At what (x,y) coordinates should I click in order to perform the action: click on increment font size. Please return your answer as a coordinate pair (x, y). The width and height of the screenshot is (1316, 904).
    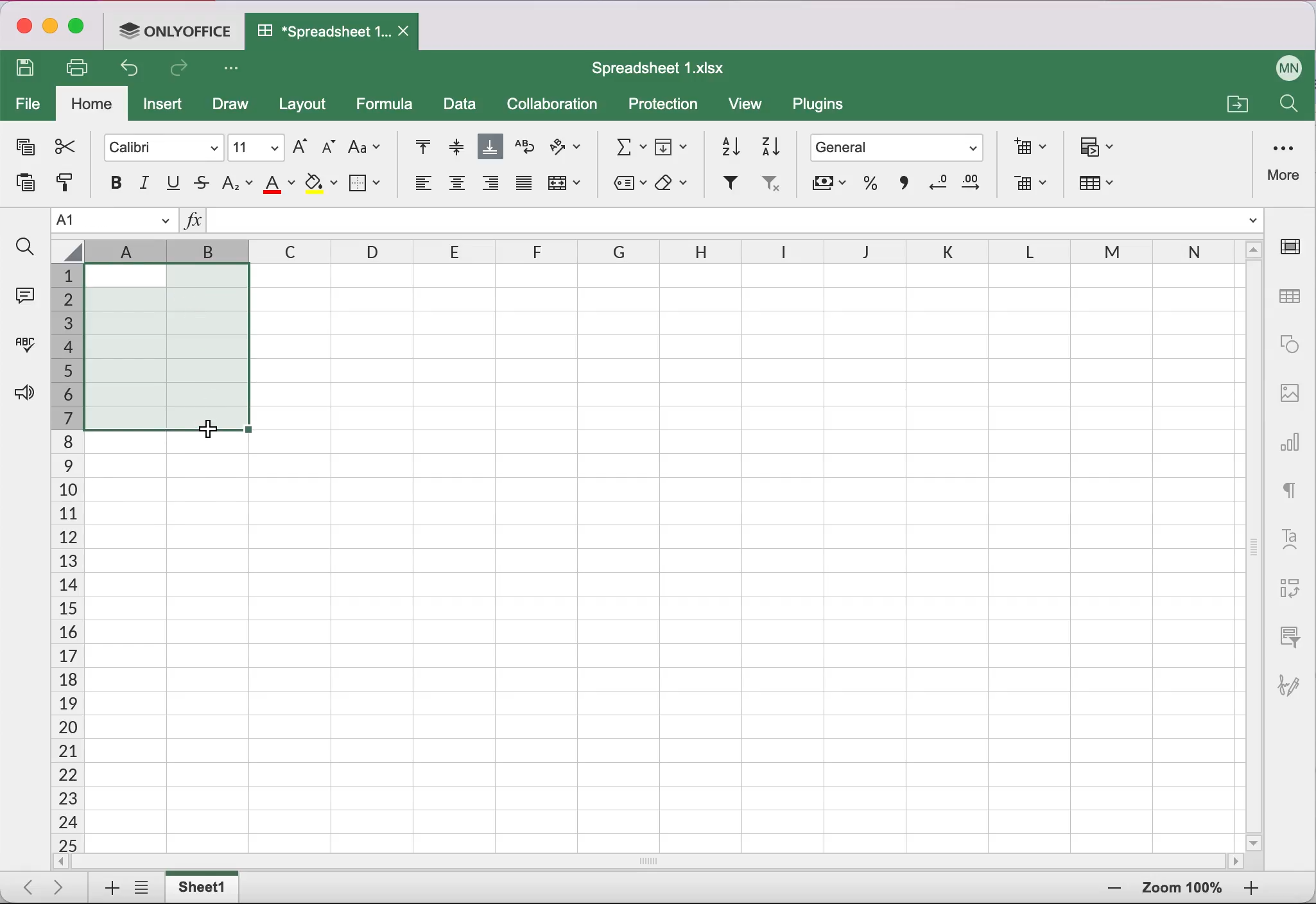
    Looking at the image, I should click on (299, 146).